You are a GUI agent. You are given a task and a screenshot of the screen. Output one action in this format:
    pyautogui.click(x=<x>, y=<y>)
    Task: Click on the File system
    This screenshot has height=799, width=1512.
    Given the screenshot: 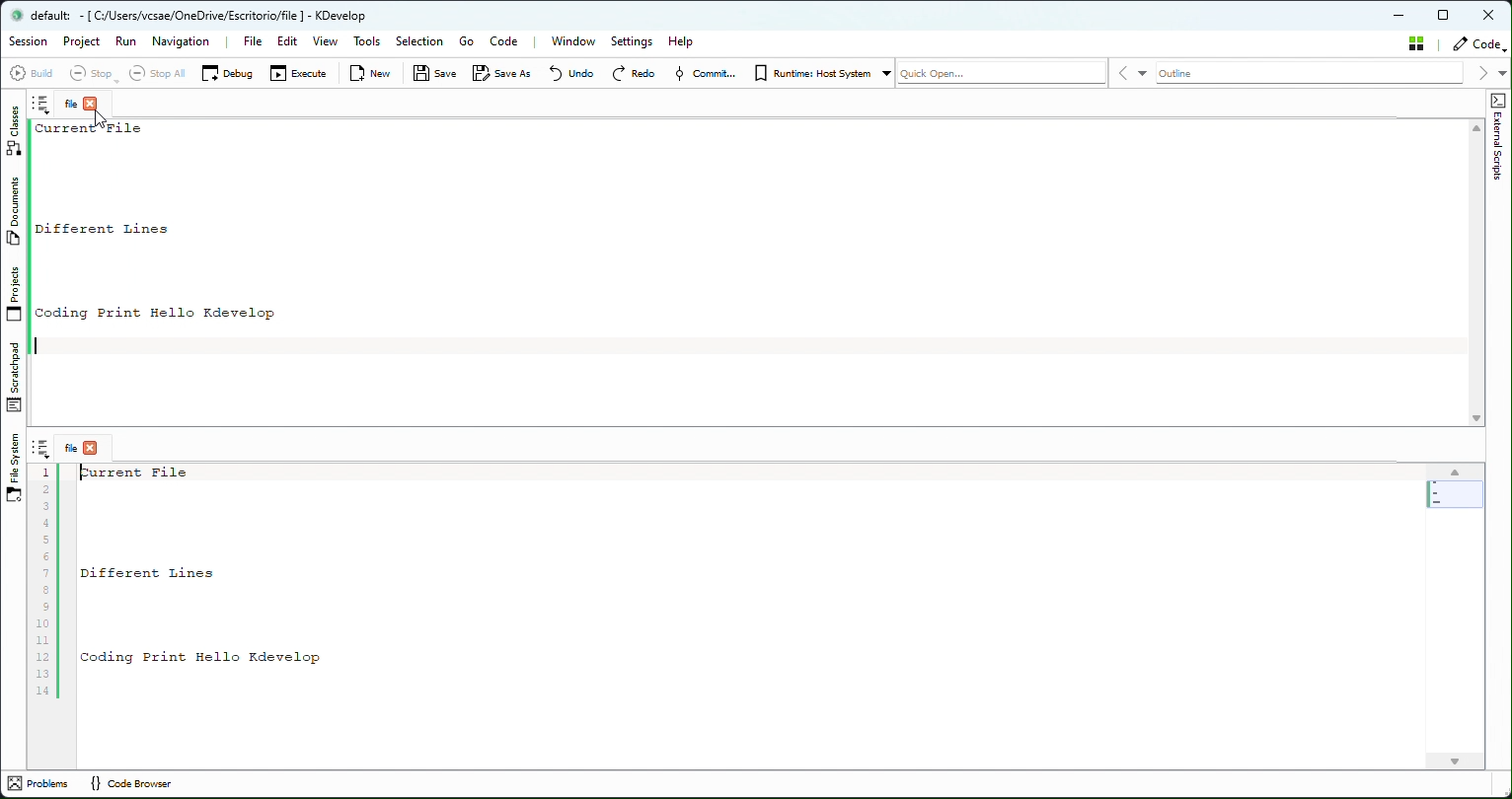 What is the action you would take?
    pyautogui.click(x=14, y=470)
    